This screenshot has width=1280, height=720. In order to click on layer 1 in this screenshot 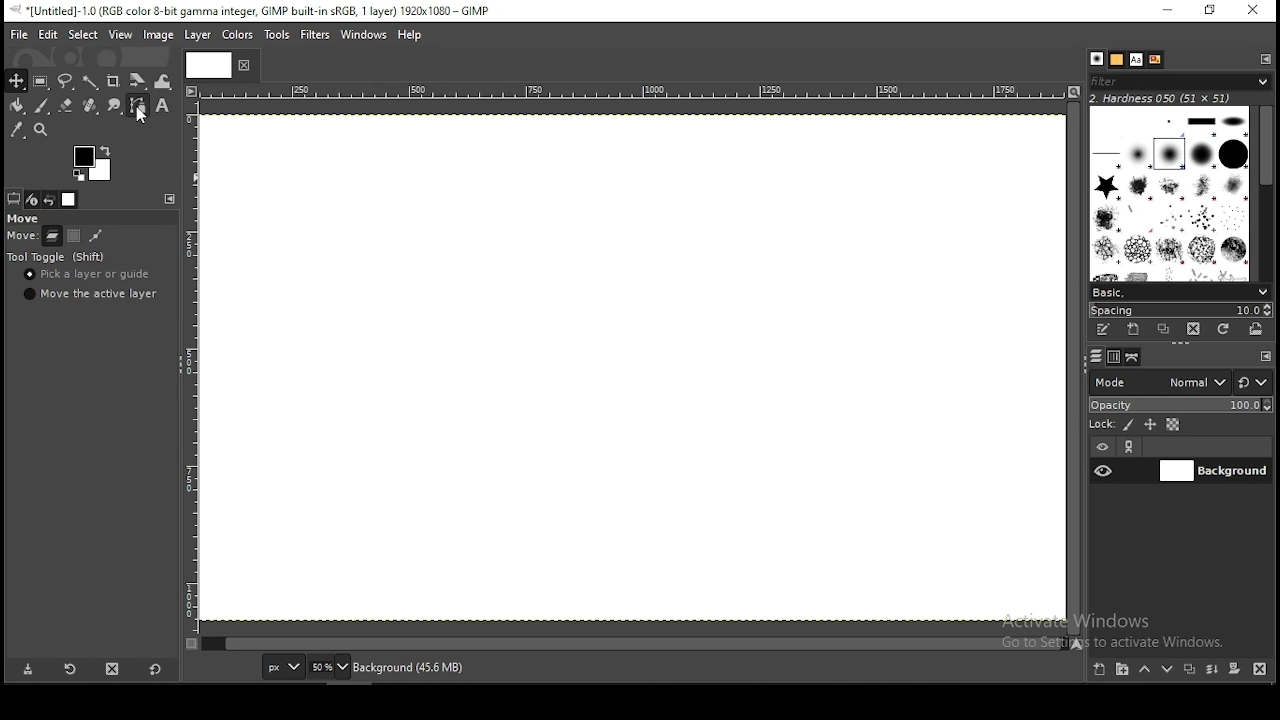, I will do `click(1213, 471)`.